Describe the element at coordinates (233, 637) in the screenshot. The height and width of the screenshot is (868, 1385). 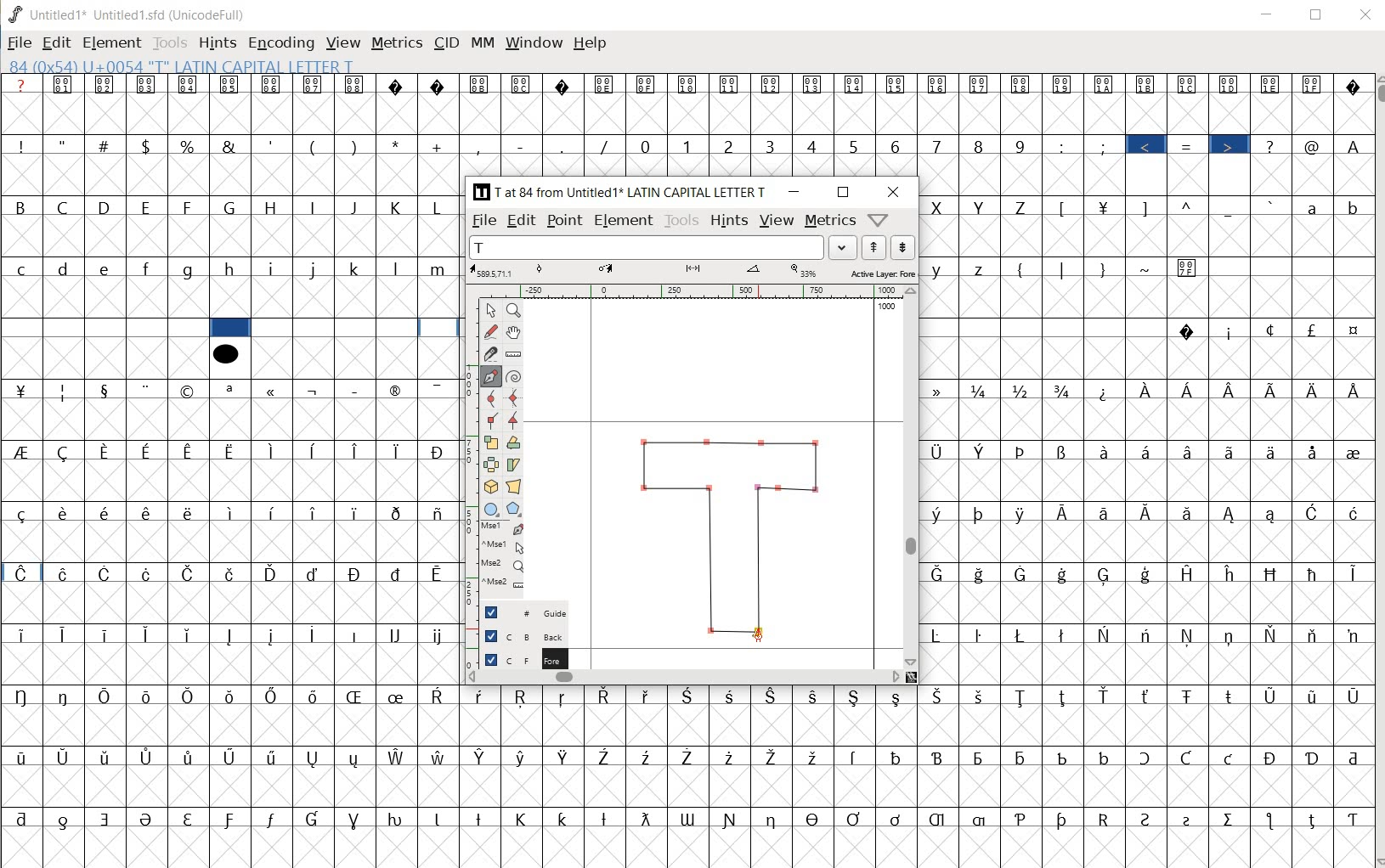
I see `Symbol` at that location.